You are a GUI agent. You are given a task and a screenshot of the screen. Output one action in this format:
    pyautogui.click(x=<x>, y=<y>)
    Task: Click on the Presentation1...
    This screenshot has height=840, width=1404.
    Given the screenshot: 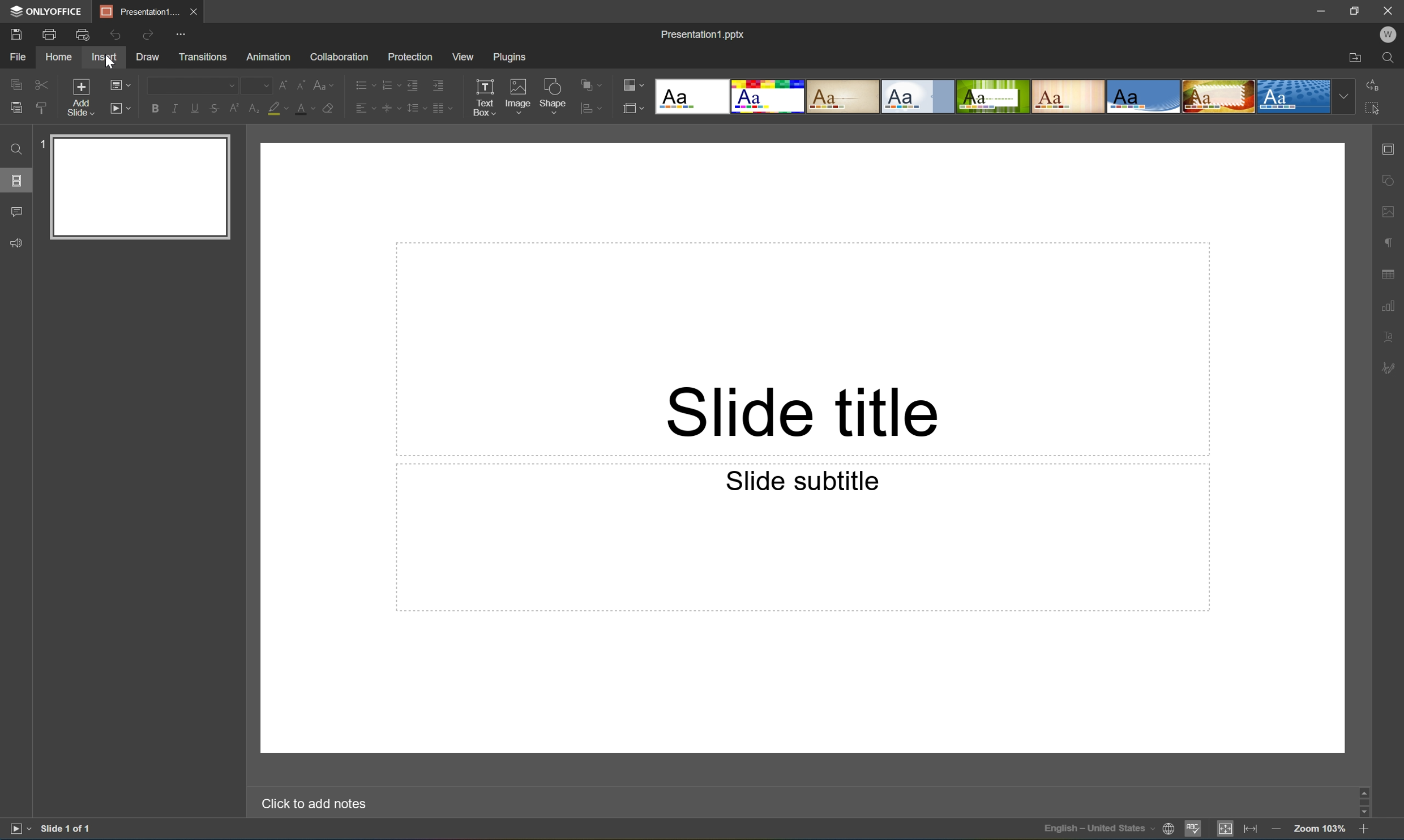 What is the action you would take?
    pyautogui.click(x=135, y=11)
    